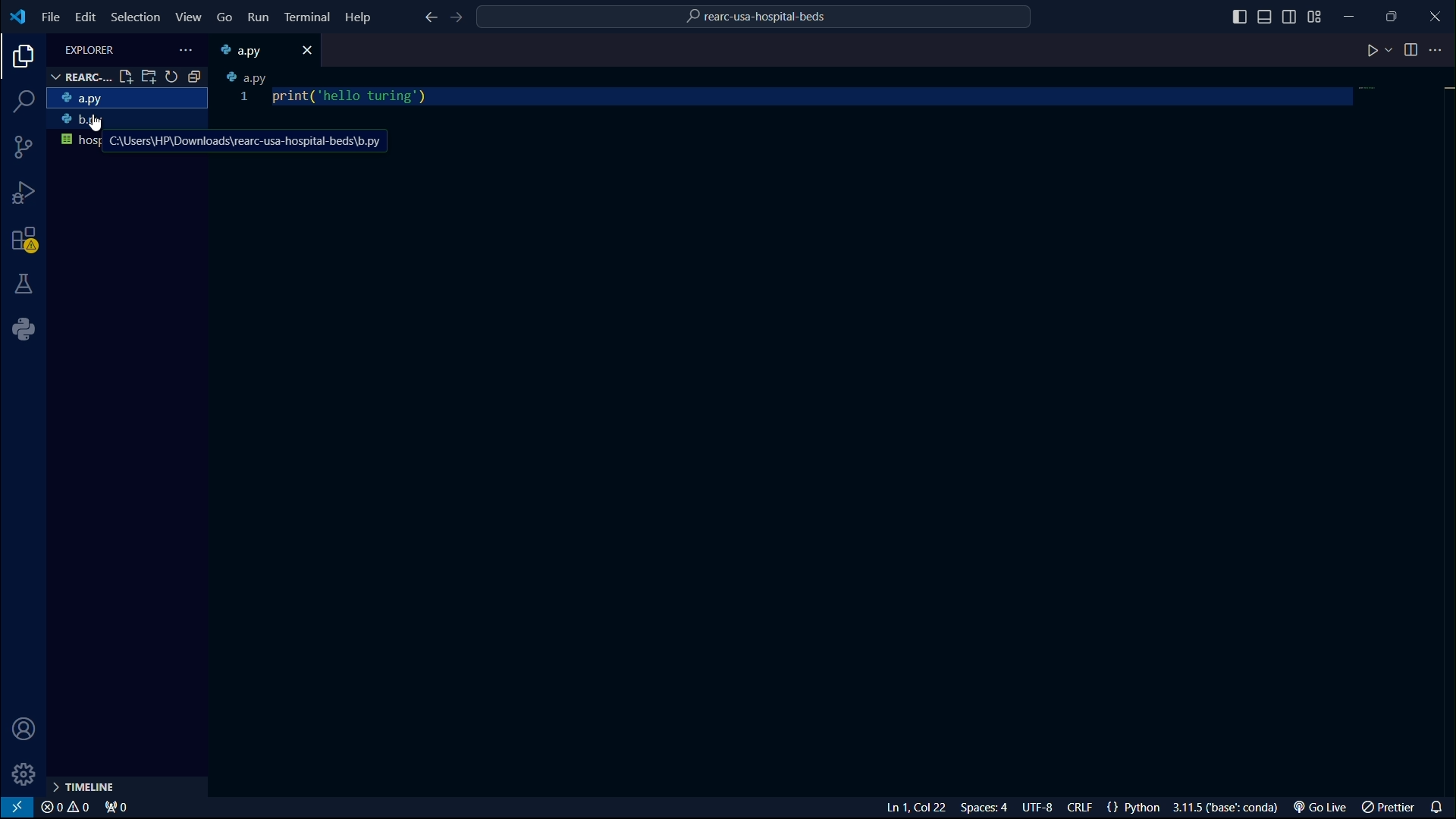 The image size is (1456, 819). I want to click on toggle panel, so click(1266, 16).